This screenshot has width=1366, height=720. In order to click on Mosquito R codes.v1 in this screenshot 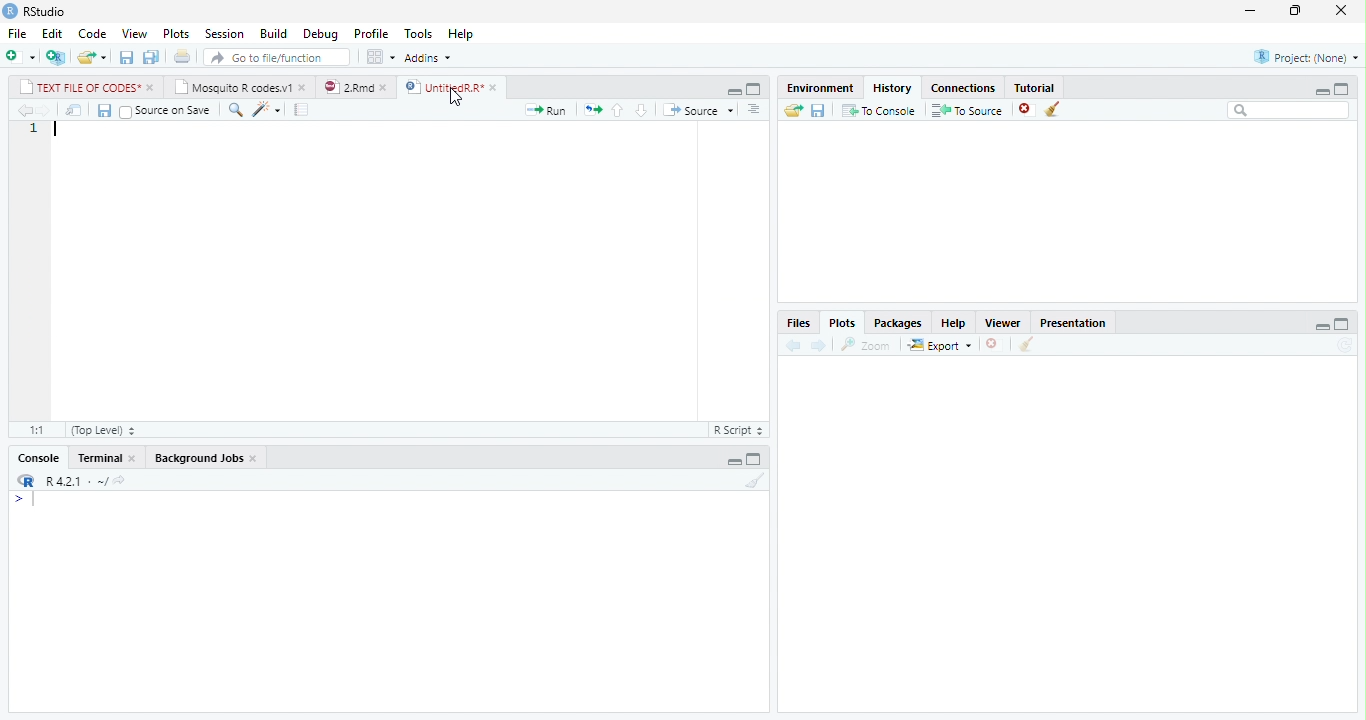, I will do `click(232, 87)`.